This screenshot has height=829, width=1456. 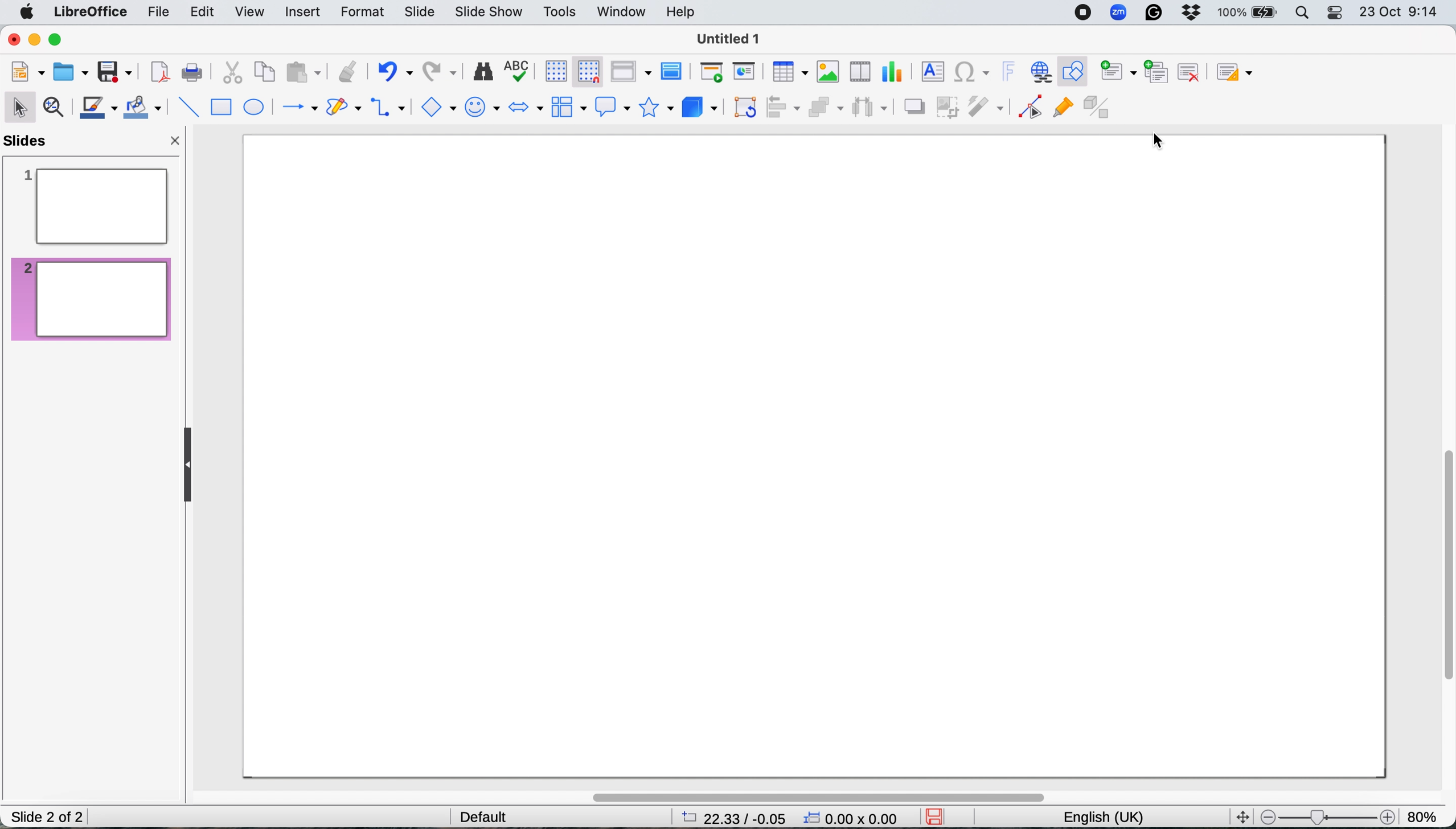 What do you see at coordinates (841, 793) in the screenshot?
I see `horizontal scroll bar` at bounding box center [841, 793].